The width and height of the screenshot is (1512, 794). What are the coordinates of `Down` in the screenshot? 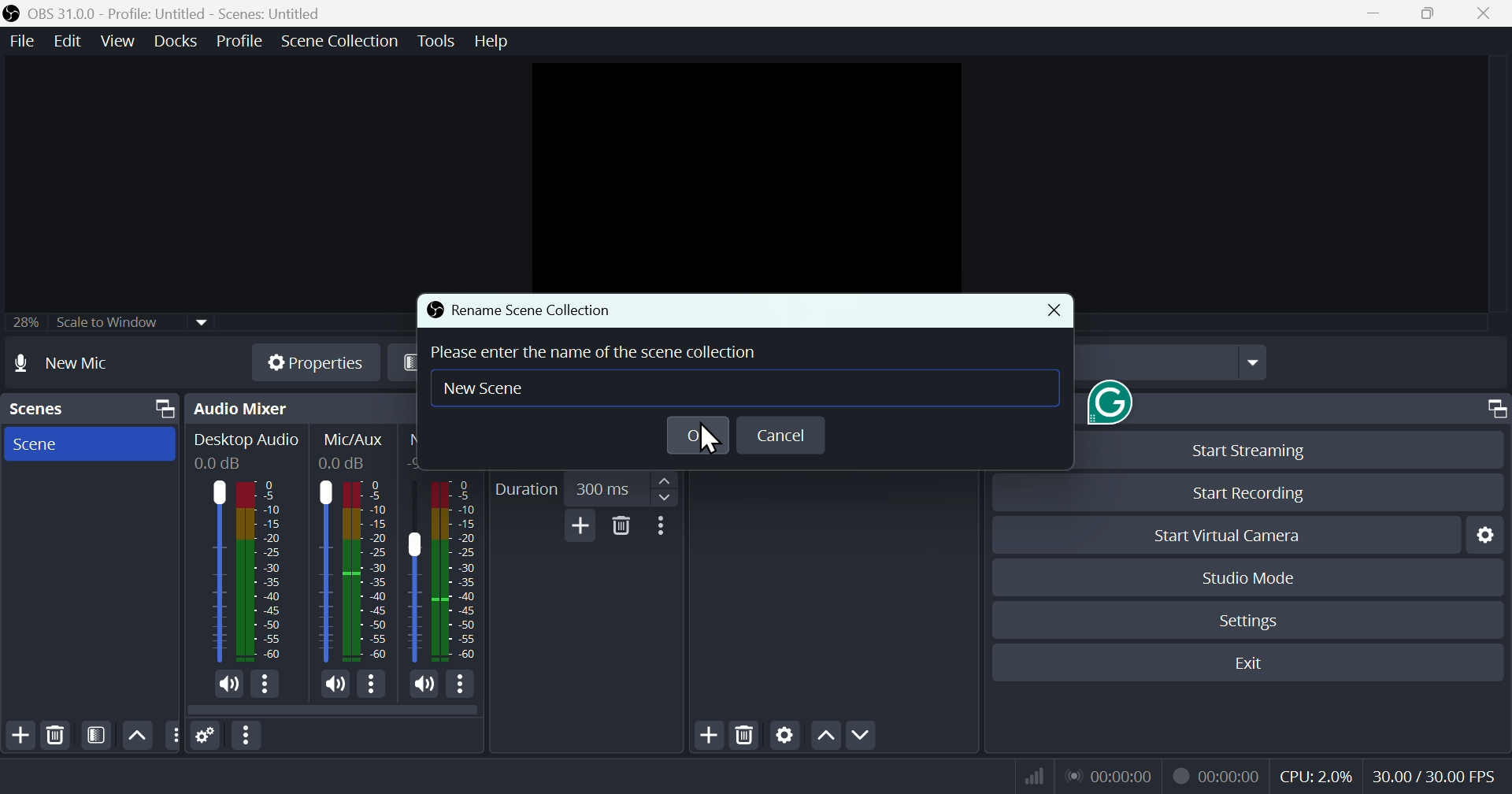 It's located at (865, 733).